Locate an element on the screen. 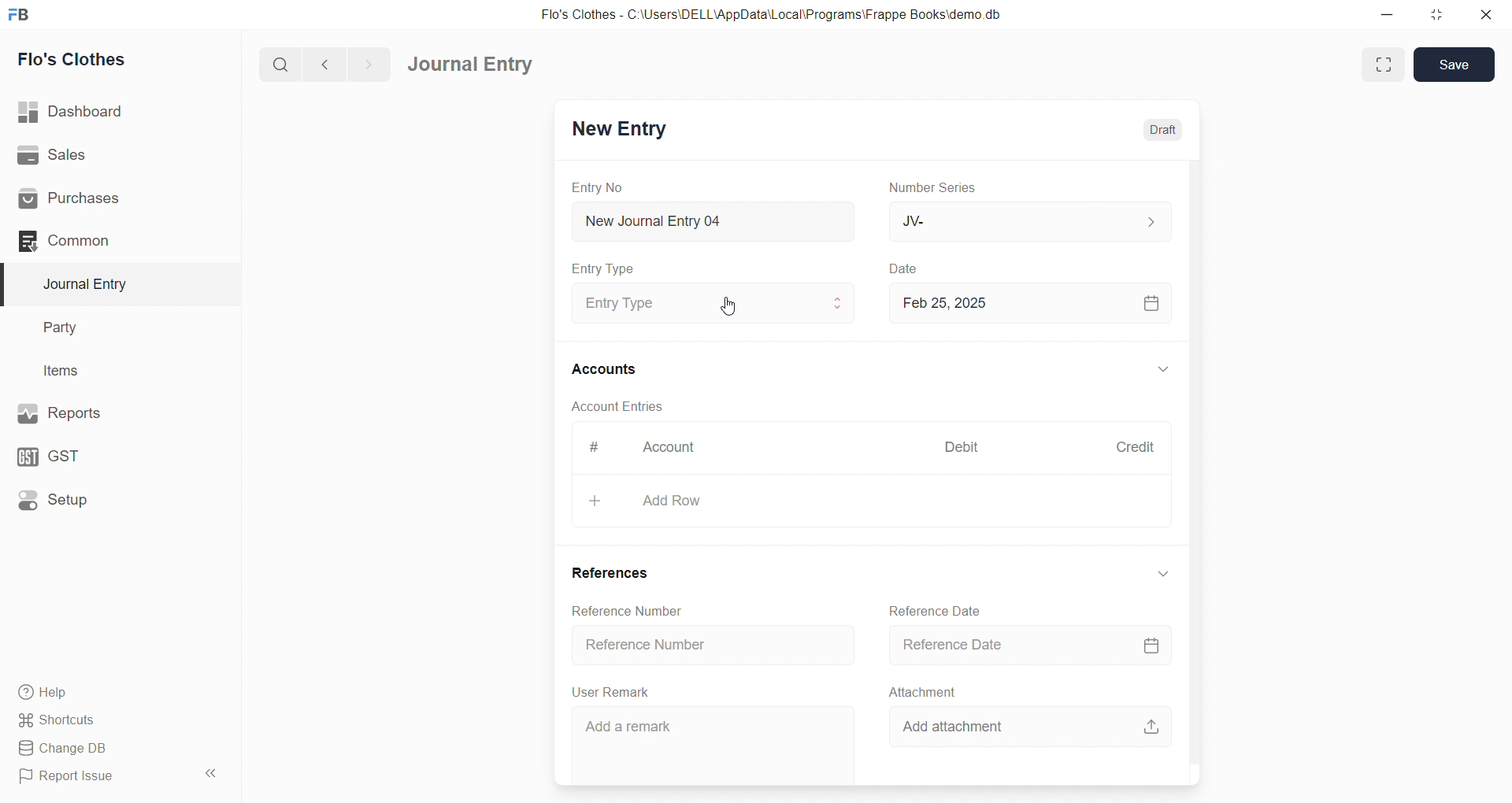  Date is located at coordinates (906, 269).